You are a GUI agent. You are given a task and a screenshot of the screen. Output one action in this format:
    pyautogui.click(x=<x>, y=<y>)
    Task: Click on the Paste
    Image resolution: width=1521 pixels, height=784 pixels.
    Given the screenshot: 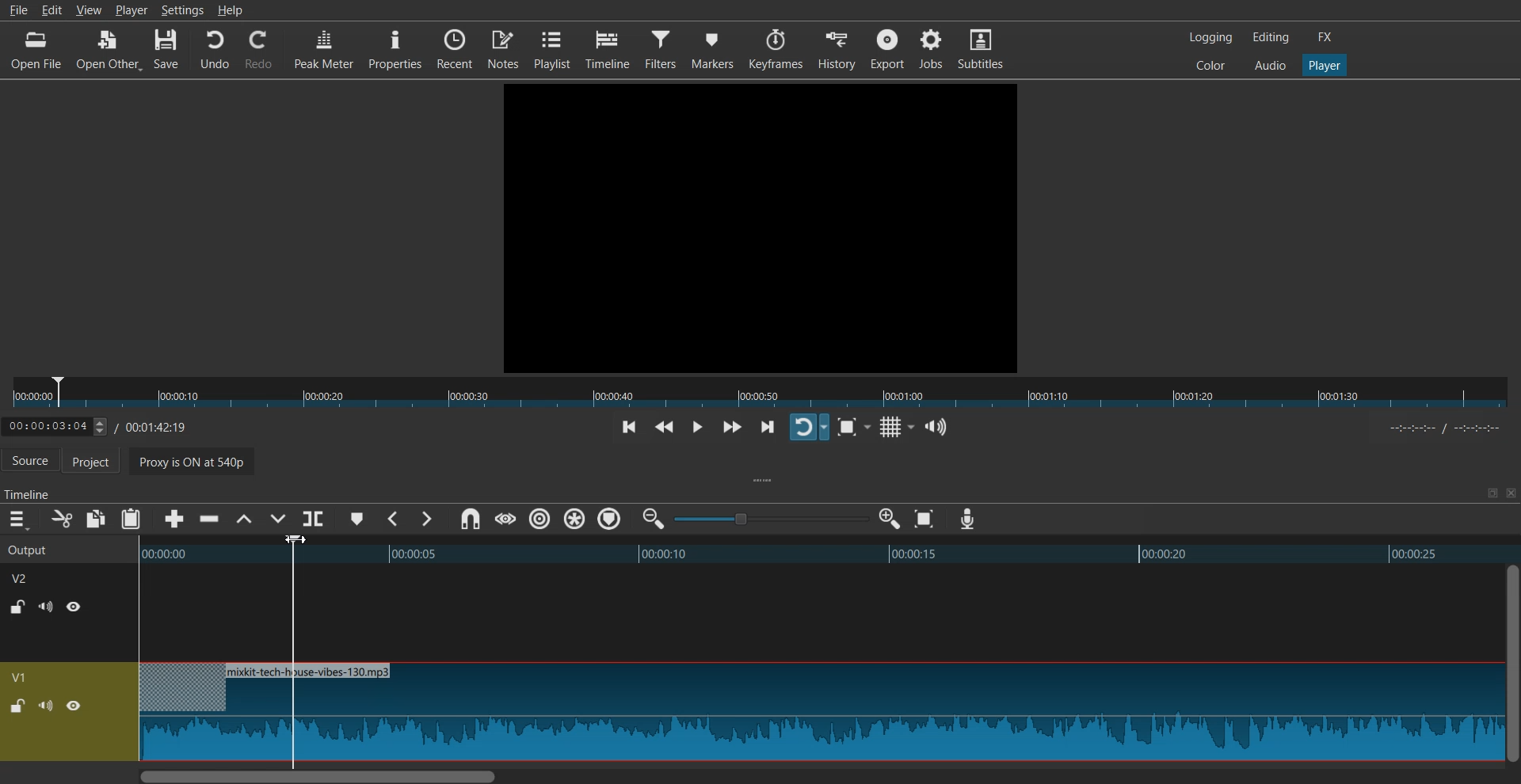 What is the action you would take?
    pyautogui.click(x=131, y=519)
    